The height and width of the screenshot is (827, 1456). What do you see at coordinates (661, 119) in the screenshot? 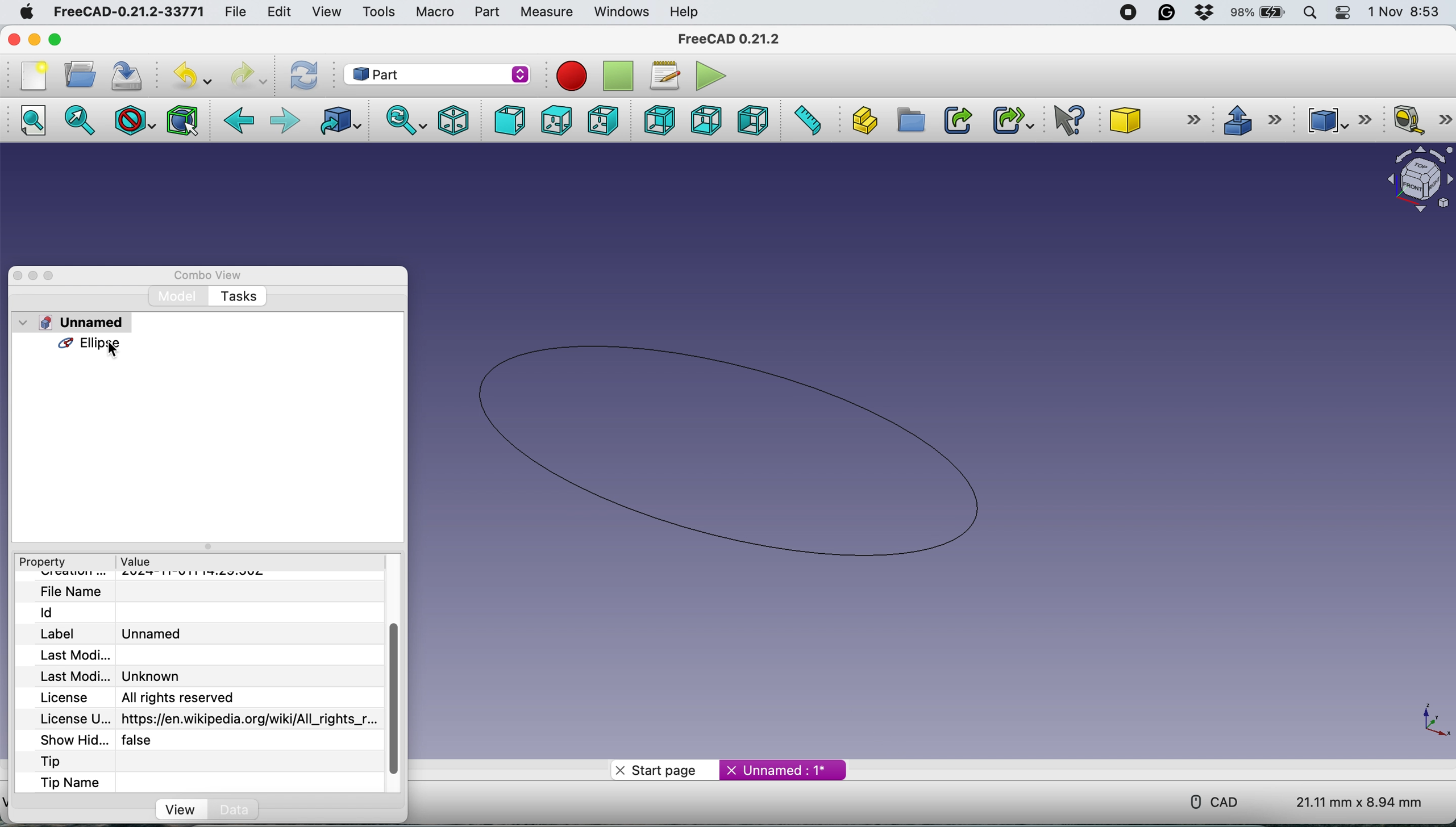
I see `rear` at bounding box center [661, 119].